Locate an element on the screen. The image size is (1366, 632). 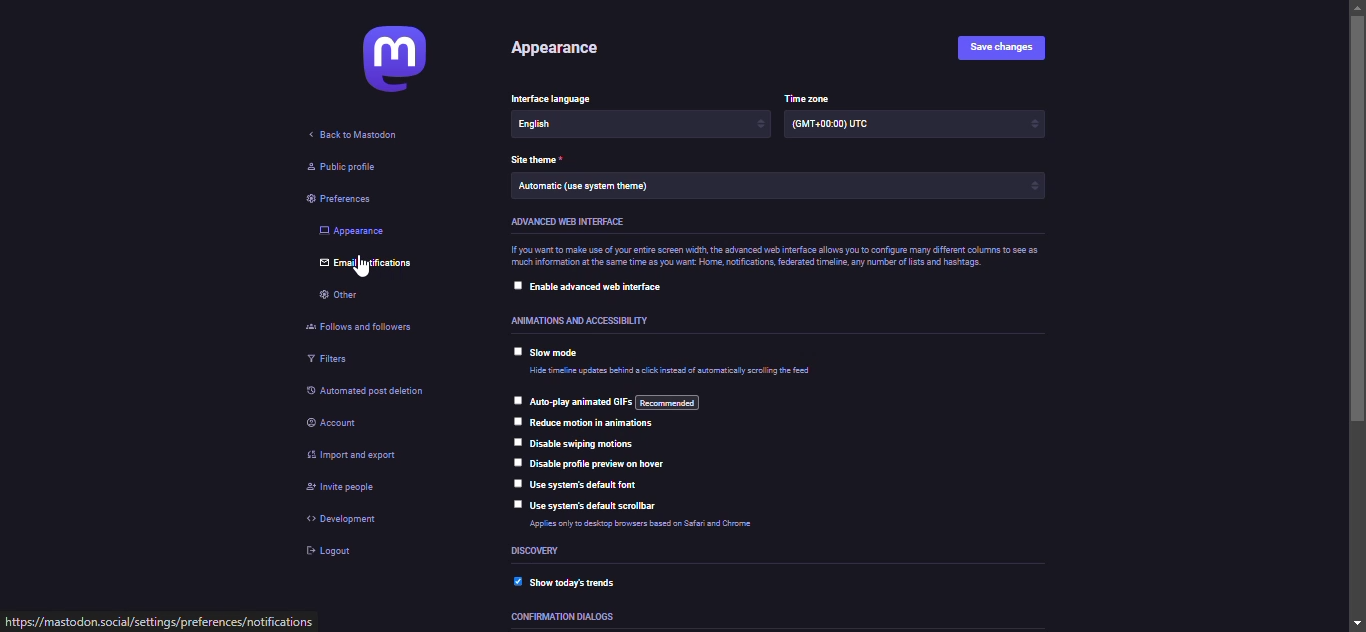
click to select is located at coordinates (515, 504).